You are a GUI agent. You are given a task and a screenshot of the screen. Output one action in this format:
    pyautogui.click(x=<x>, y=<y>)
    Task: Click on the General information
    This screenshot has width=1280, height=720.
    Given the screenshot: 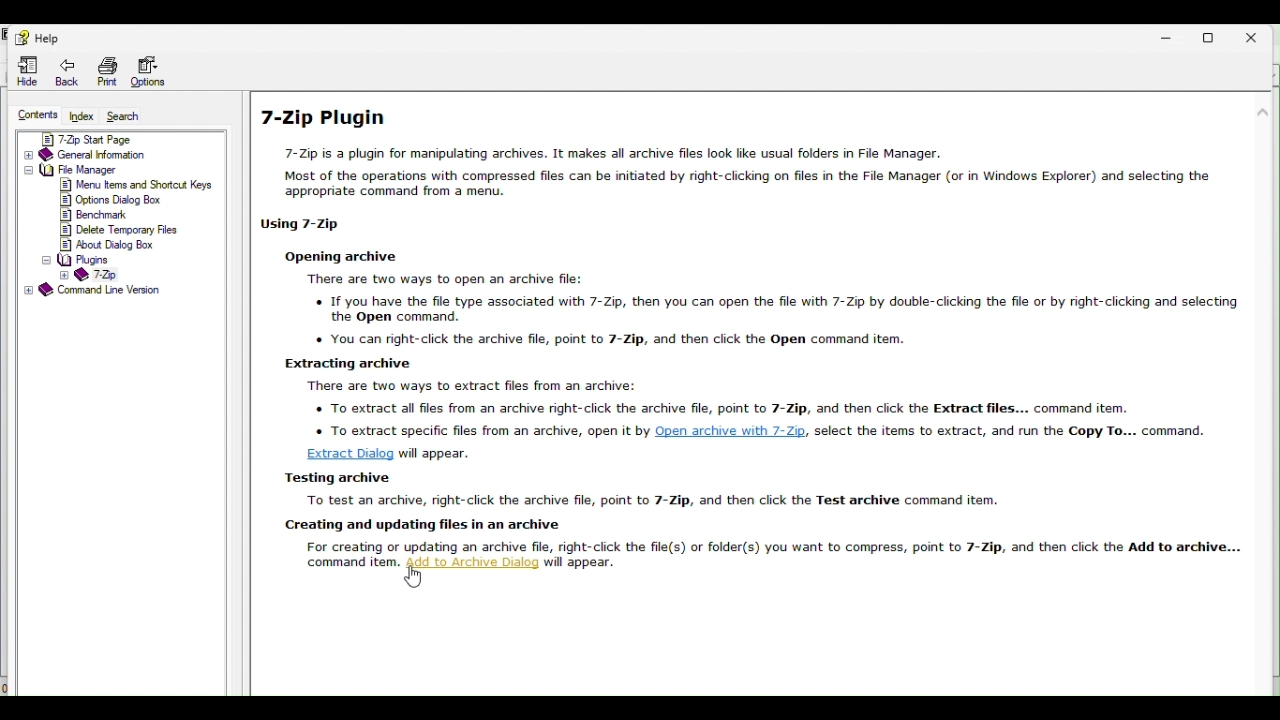 What is the action you would take?
    pyautogui.click(x=119, y=155)
    